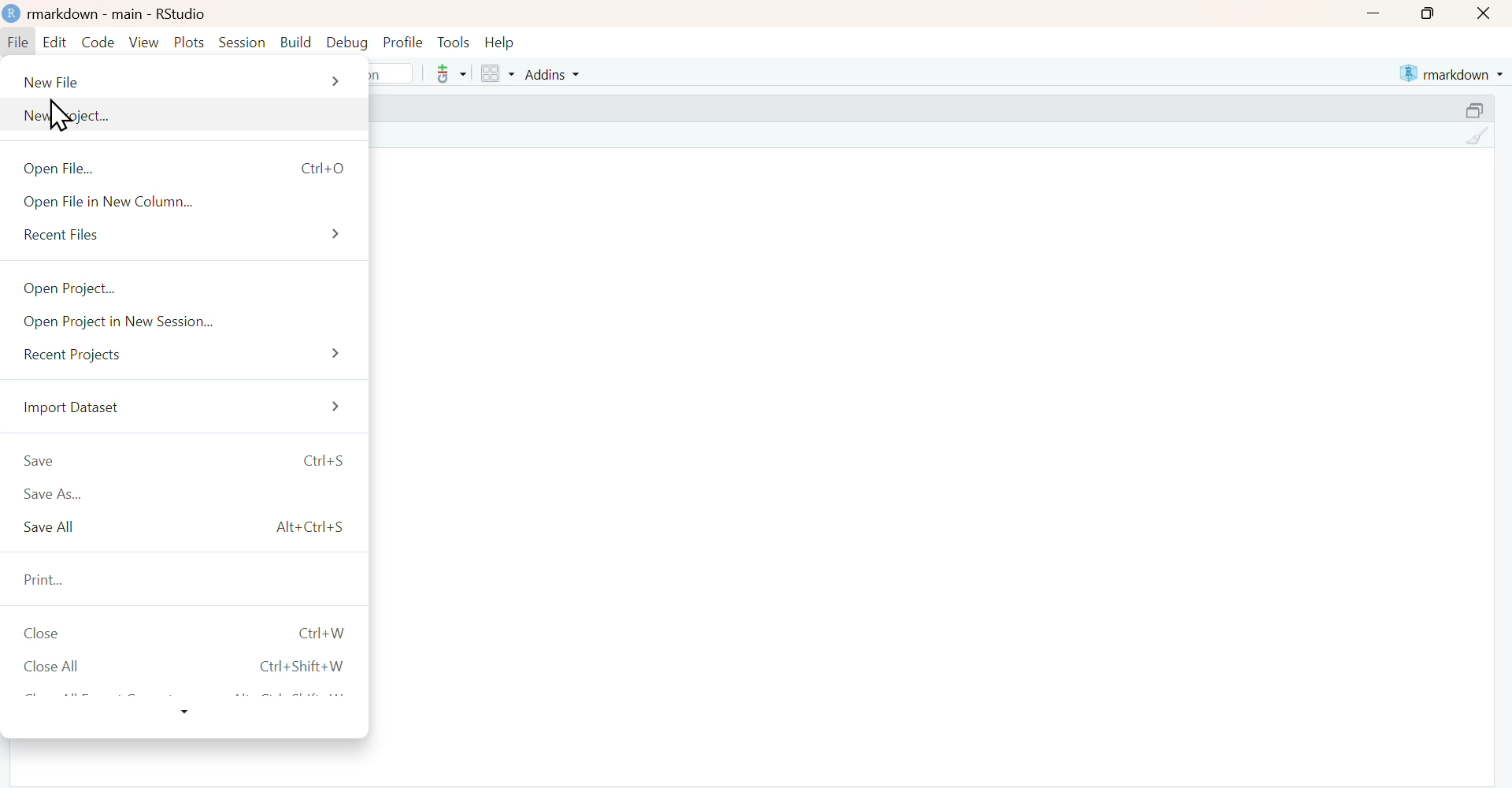 The width and height of the screenshot is (1512, 788). What do you see at coordinates (144, 42) in the screenshot?
I see `View` at bounding box center [144, 42].